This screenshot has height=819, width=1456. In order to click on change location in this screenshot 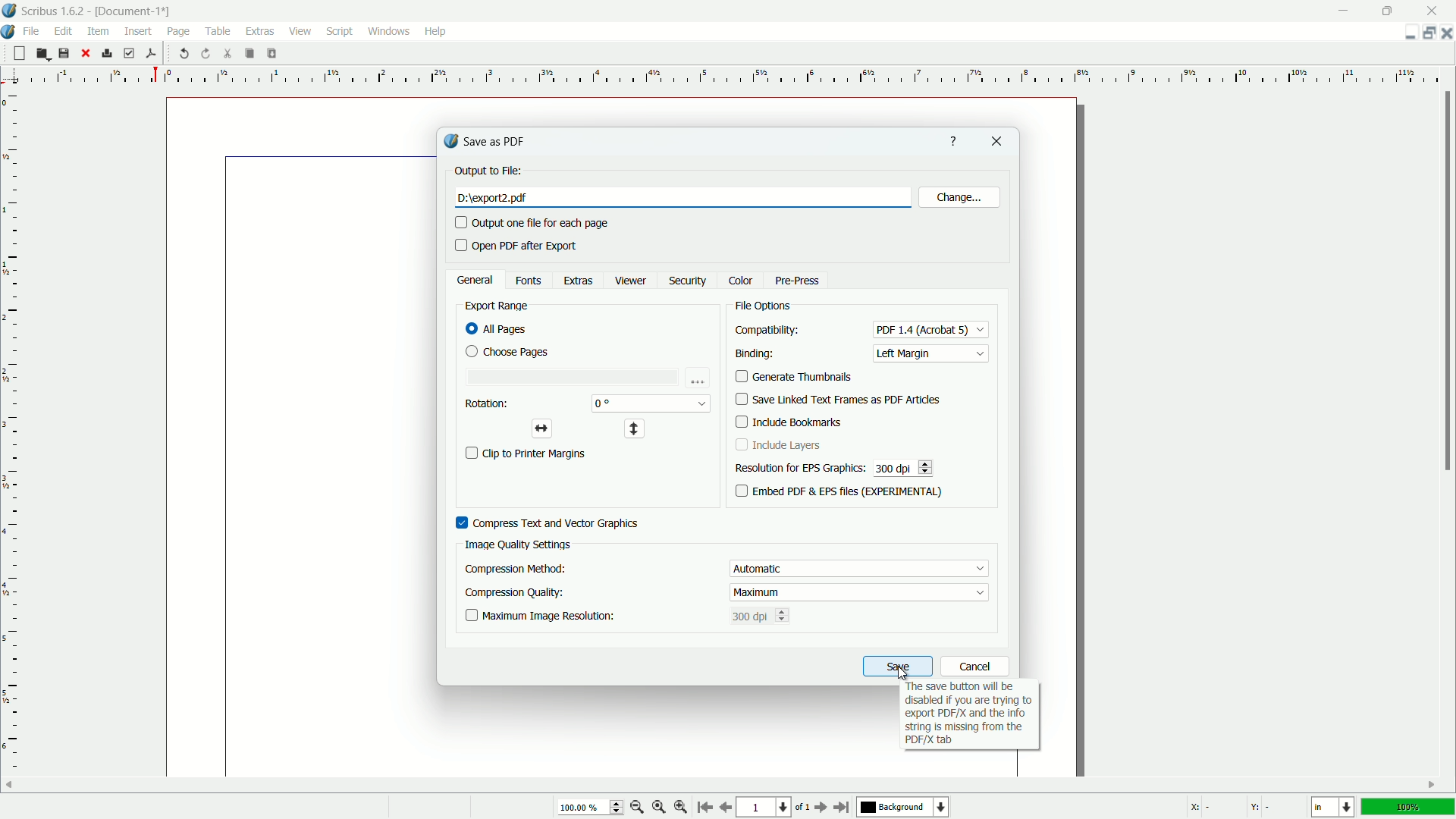, I will do `click(959, 198)`.